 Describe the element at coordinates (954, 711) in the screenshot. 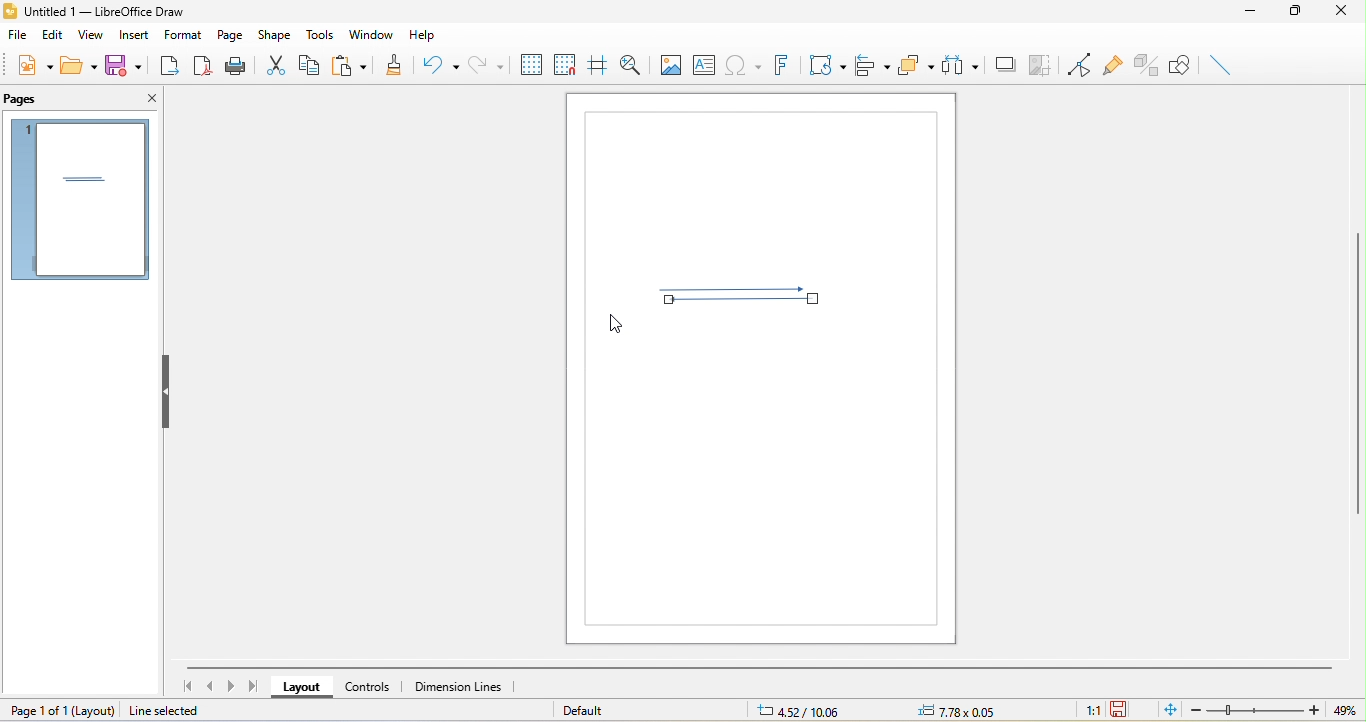

I see `0.00x0.00` at that location.